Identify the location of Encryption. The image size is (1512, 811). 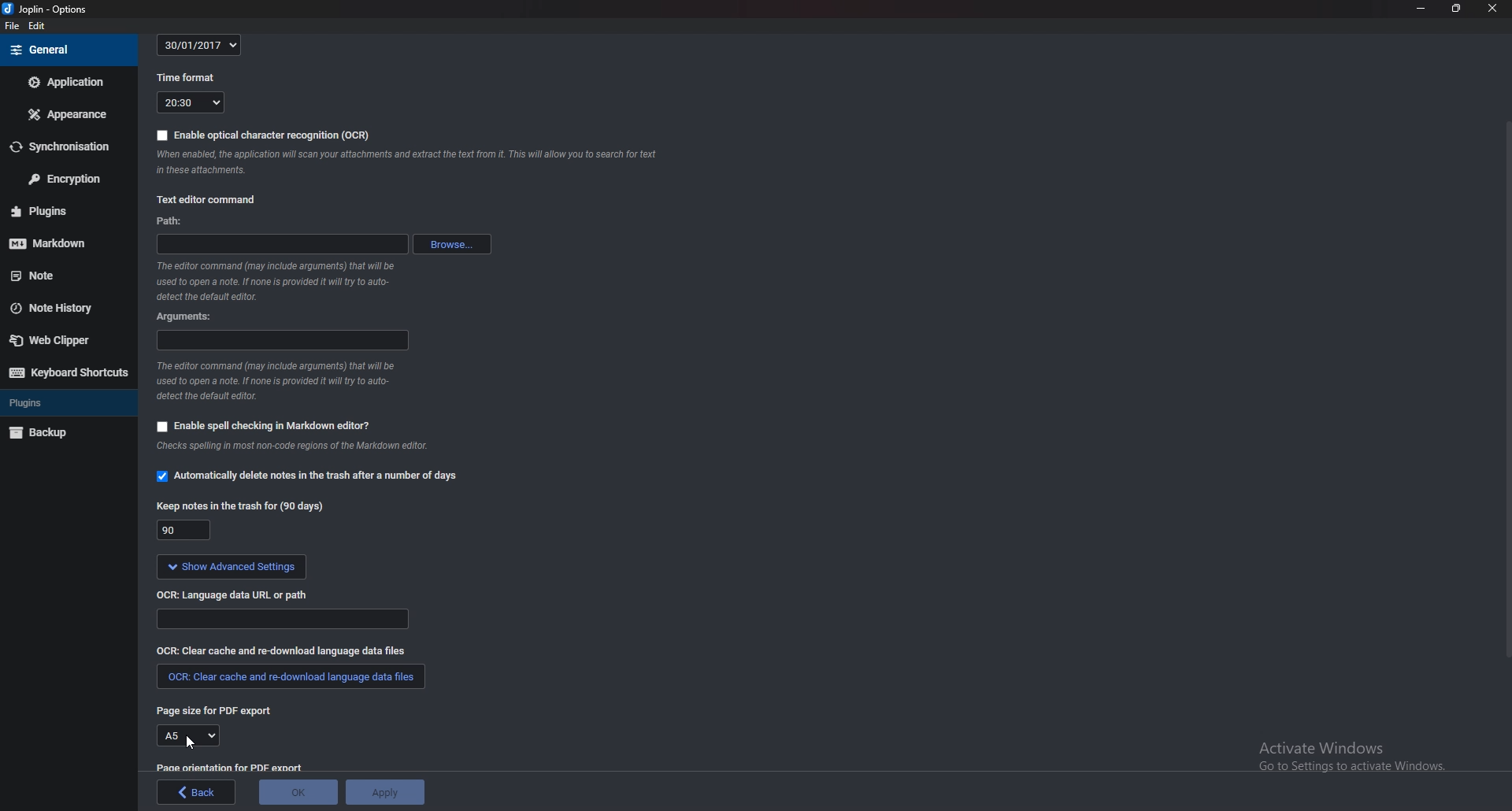
(70, 177).